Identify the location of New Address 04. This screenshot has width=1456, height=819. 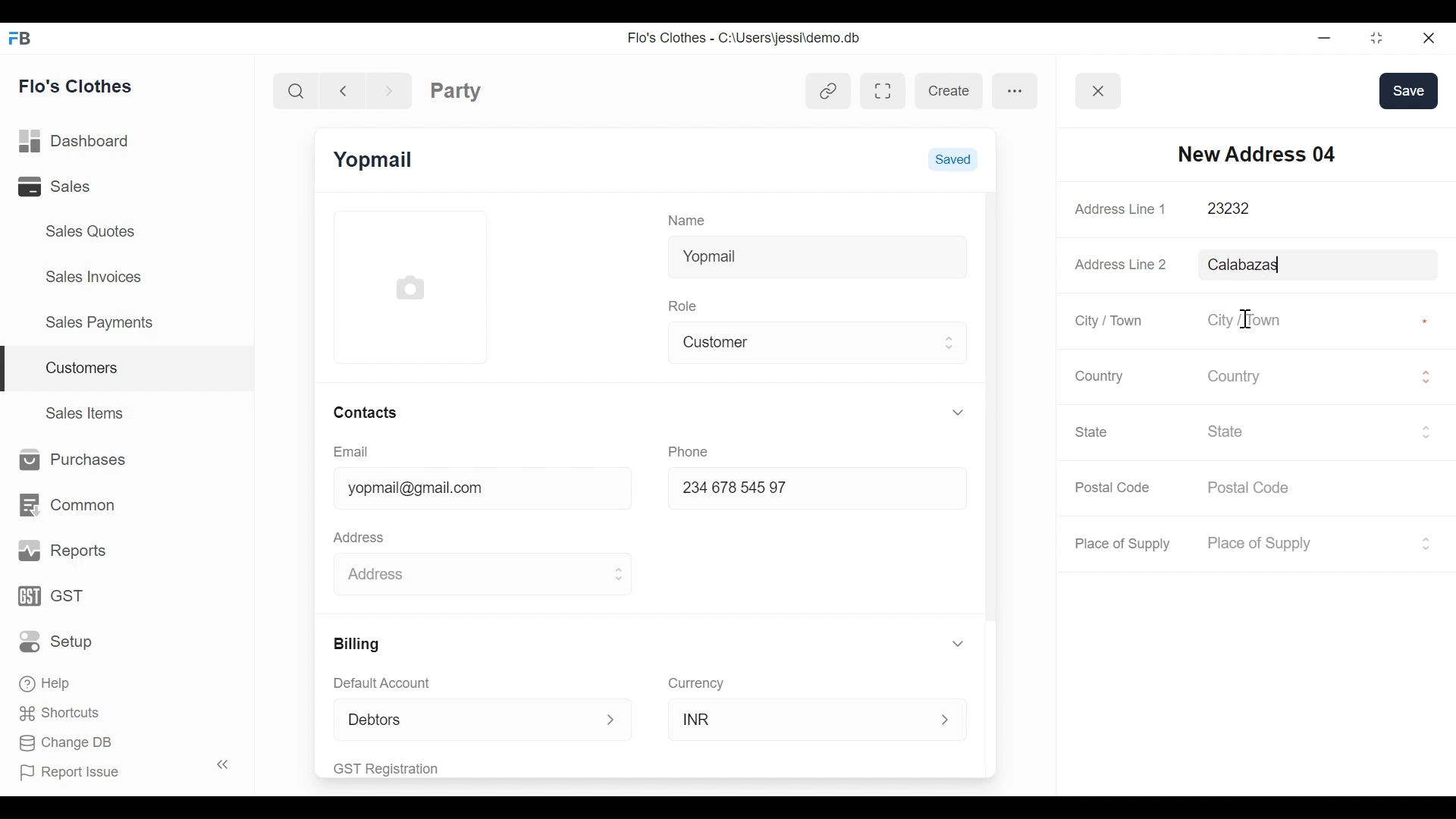
(1257, 153).